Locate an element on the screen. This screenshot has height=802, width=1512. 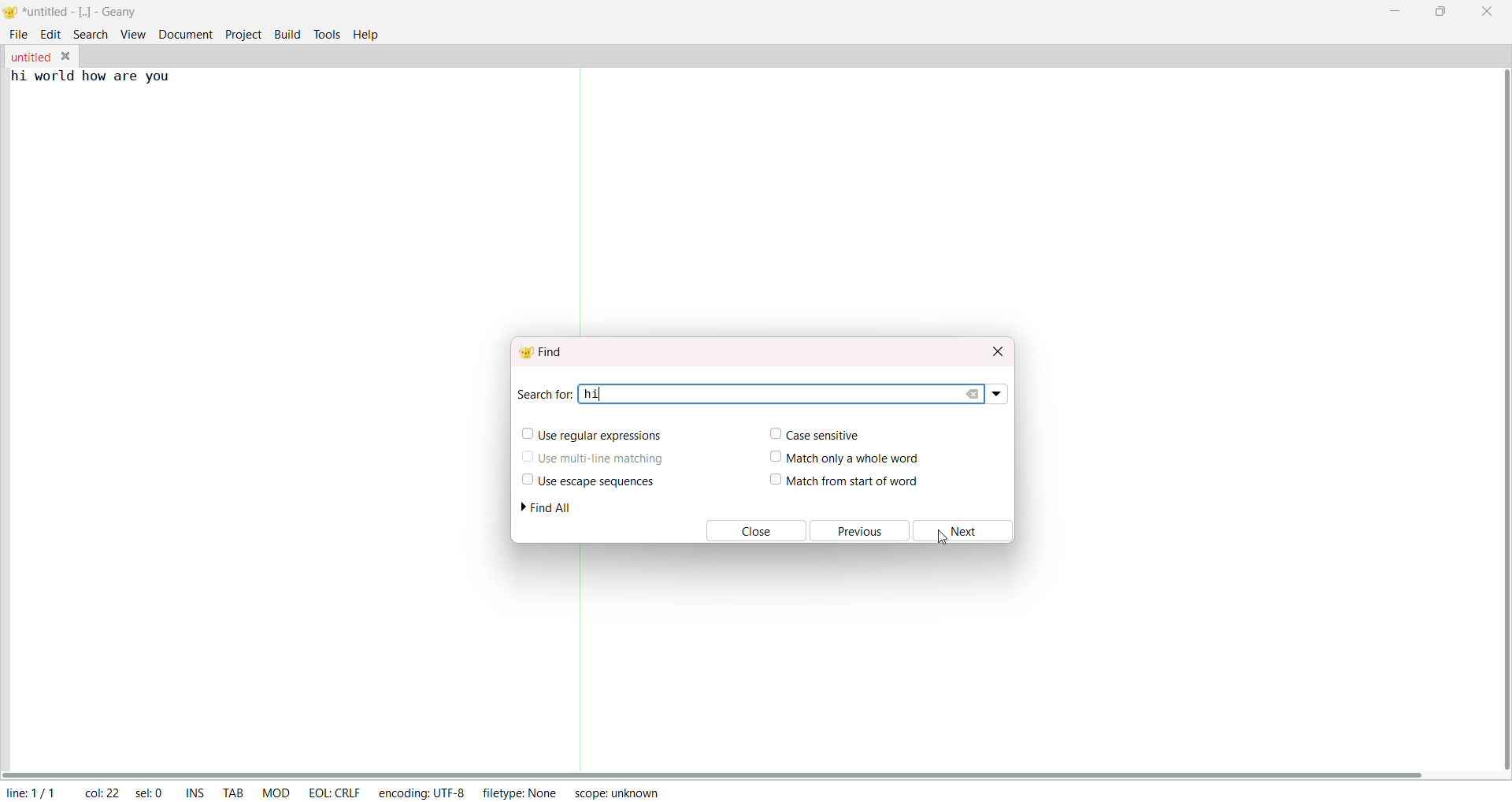
next is located at coordinates (965, 533).